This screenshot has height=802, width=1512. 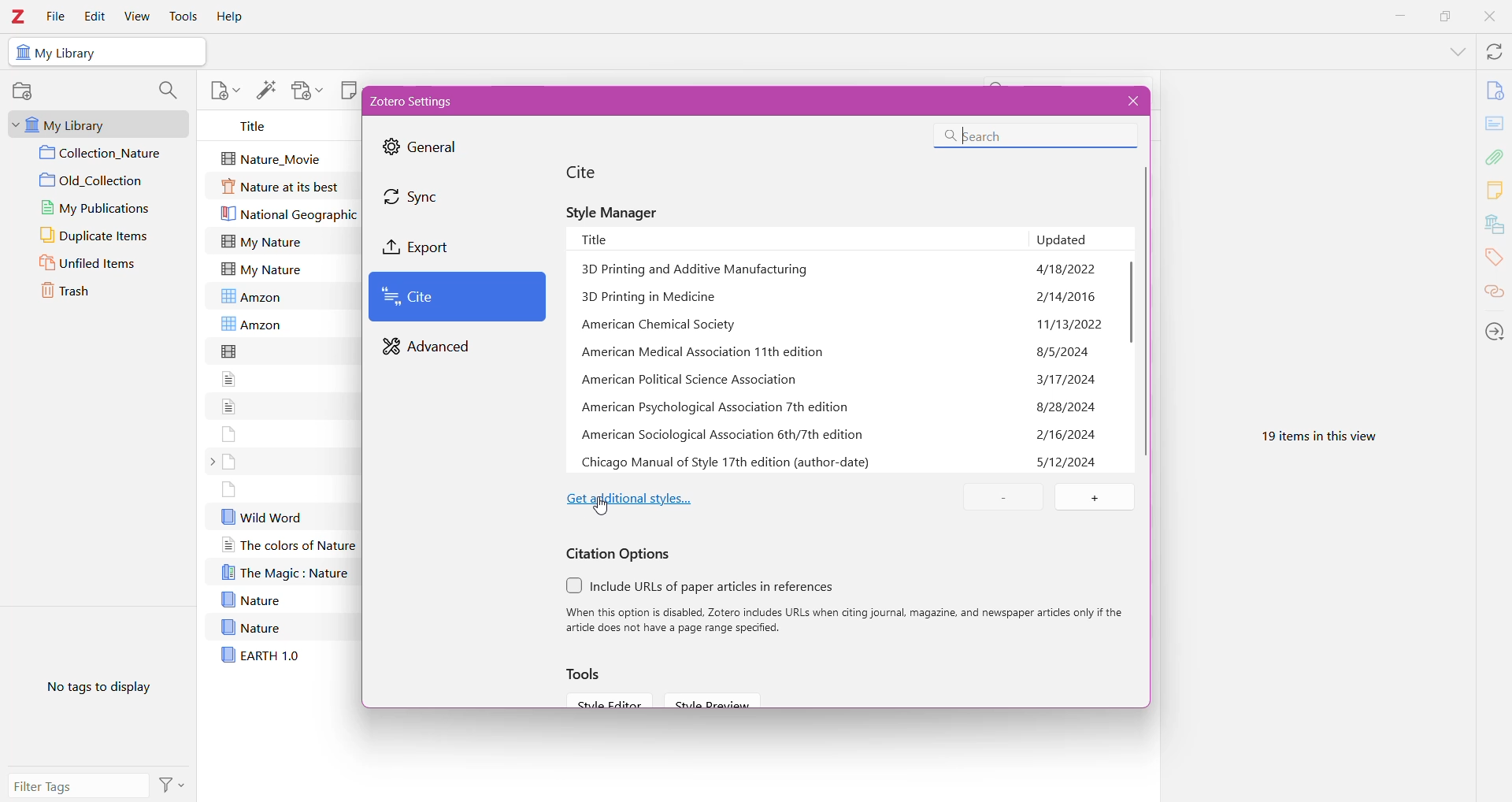 What do you see at coordinates (1094, 498) in the screenshot?
I see `Add a style from a file` at bounding box center [1094, 498].